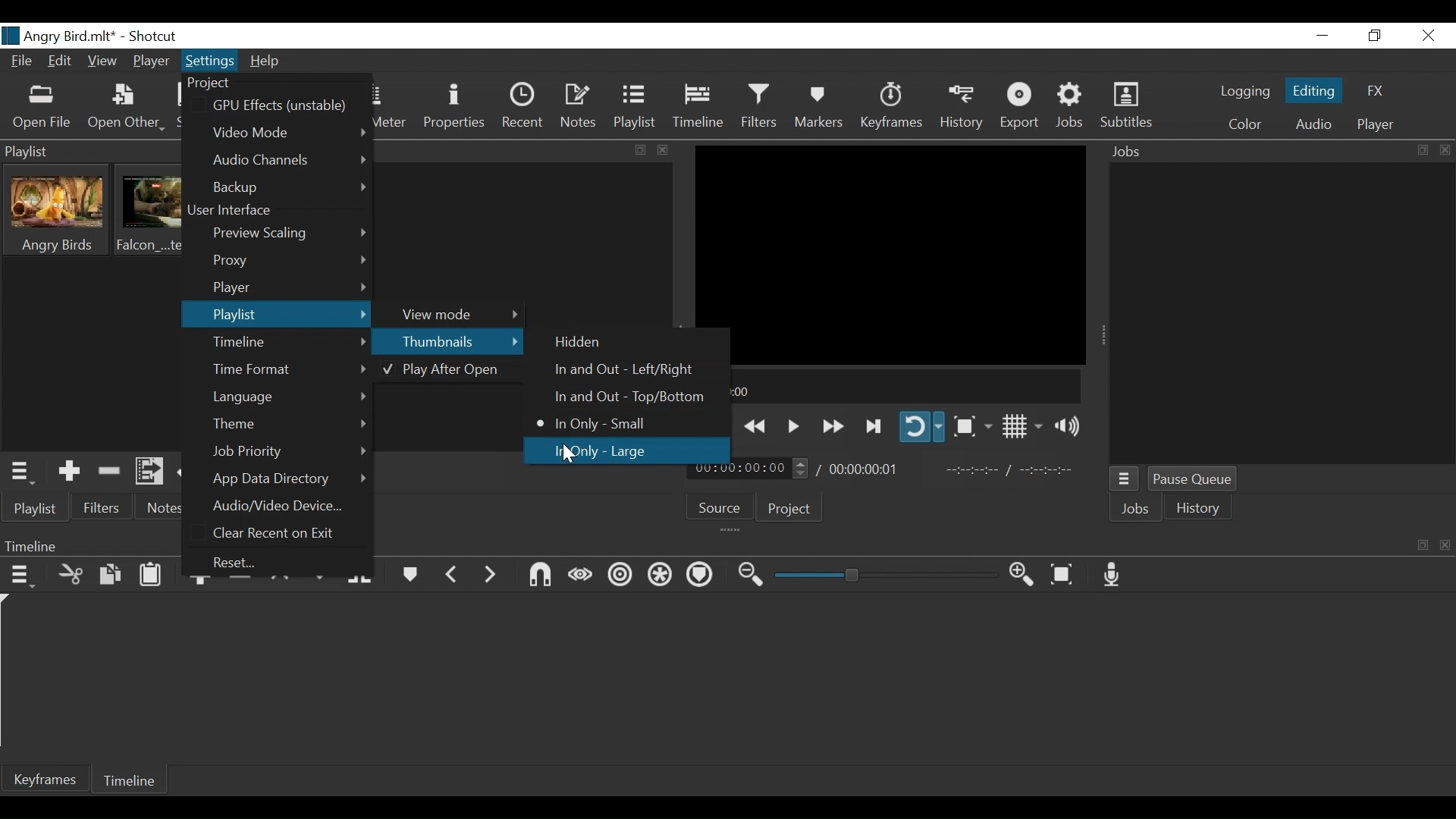  I want to click on GPU Effects (unstable), so click(284, 105).